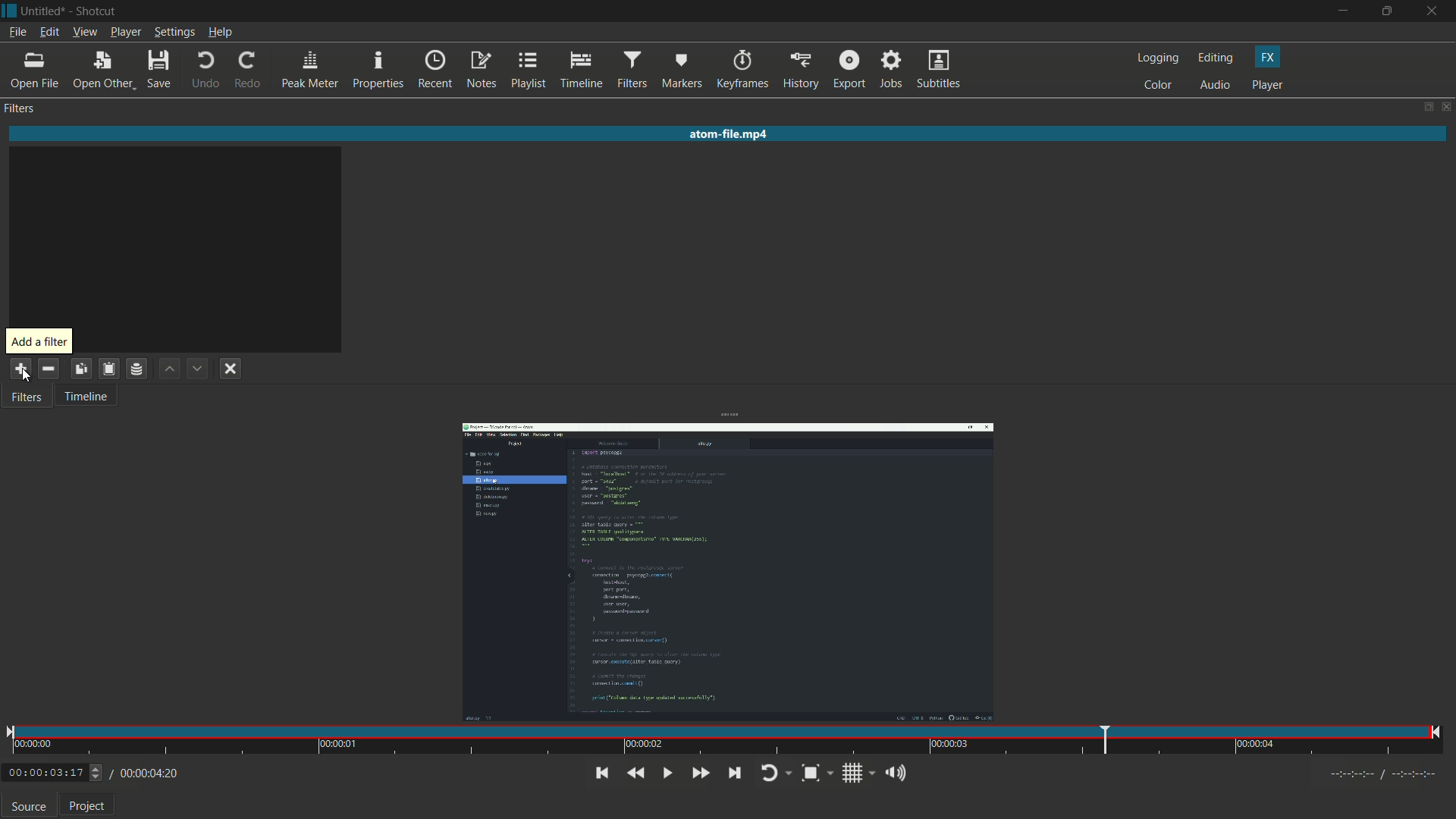  What do you see at coordinates (88, 396) in the screenshot?
I see `timeline tab` at bounding box center [88, 396].